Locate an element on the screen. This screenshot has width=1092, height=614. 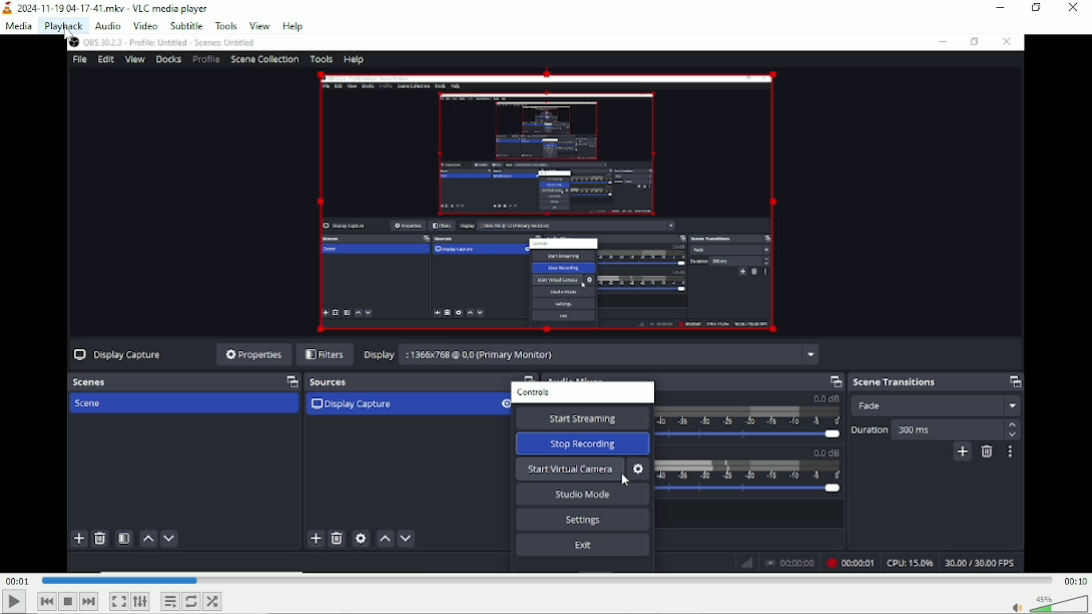
Toggle video in fullscreen is located at coordinates (119, 601).